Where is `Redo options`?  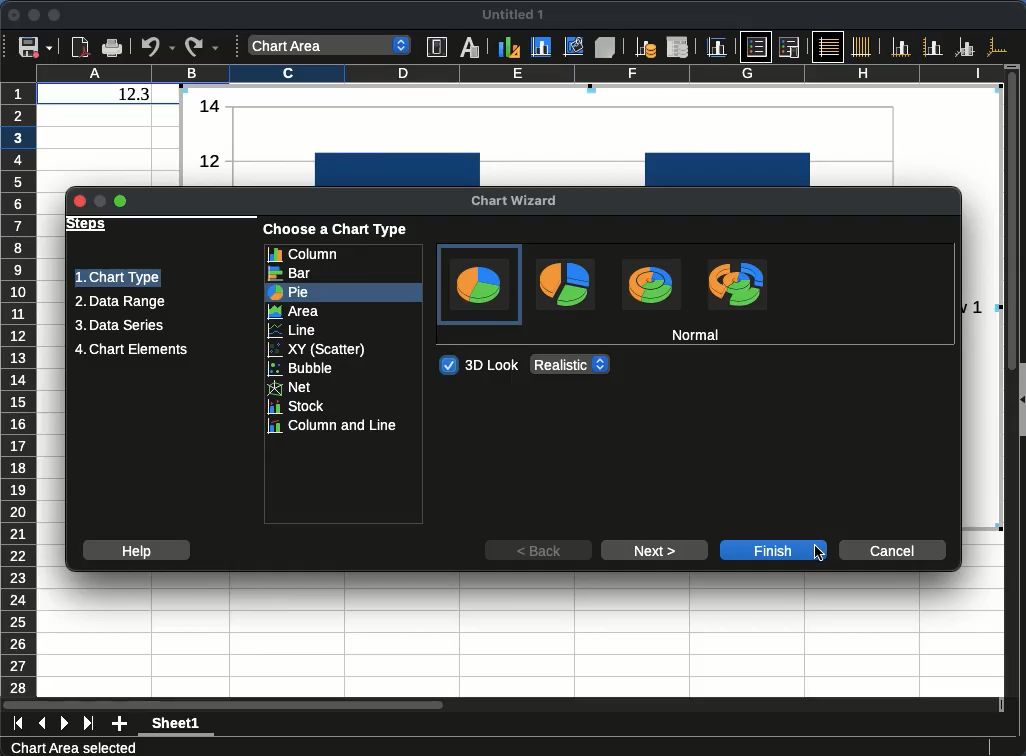 Redo options is located at coordinates (202, 47).